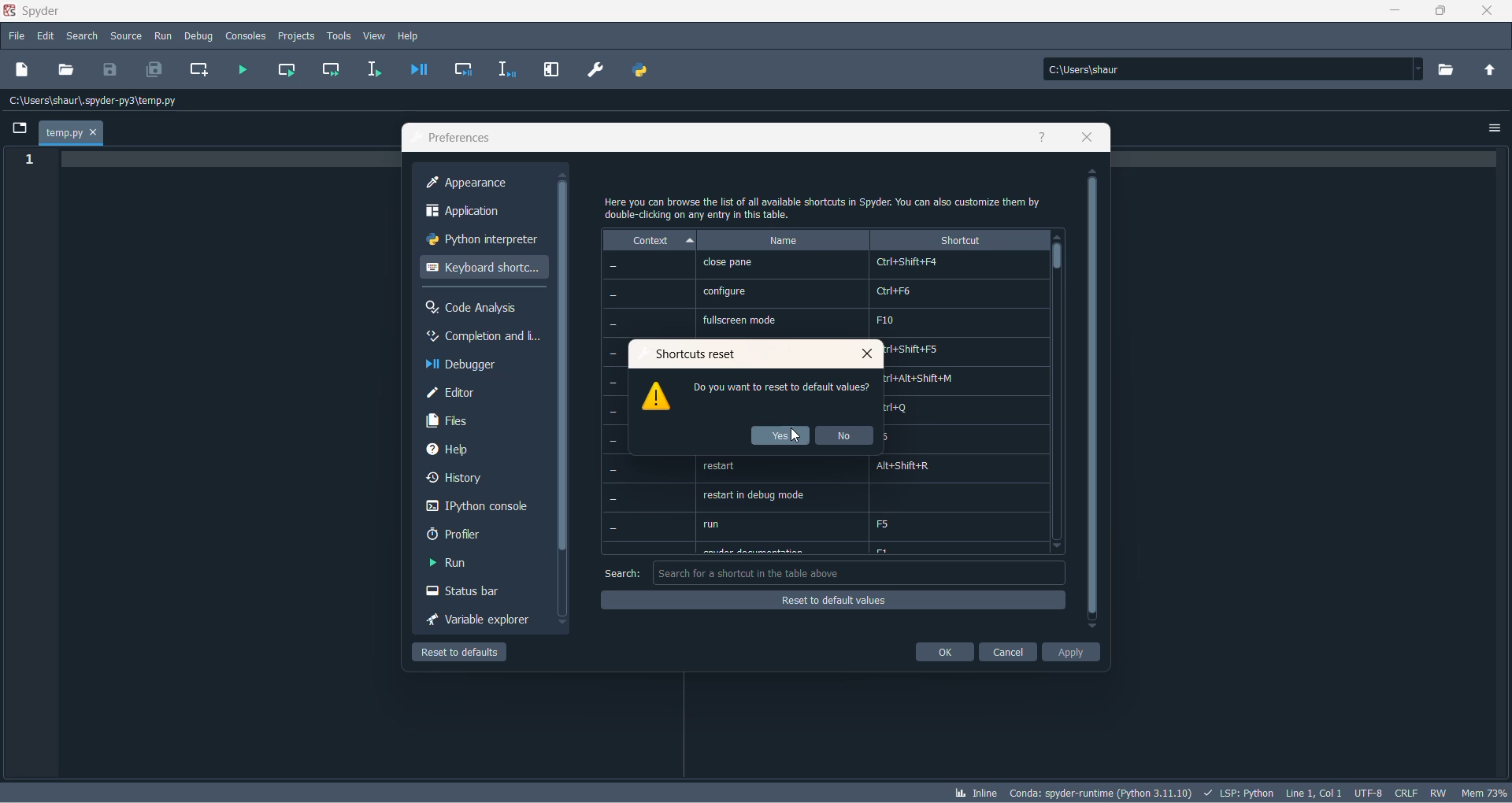 This screenshot has width=1512, height=803. Describe the element at coordinates (1095, 629) in the screenshot. I see `move down` at that location.